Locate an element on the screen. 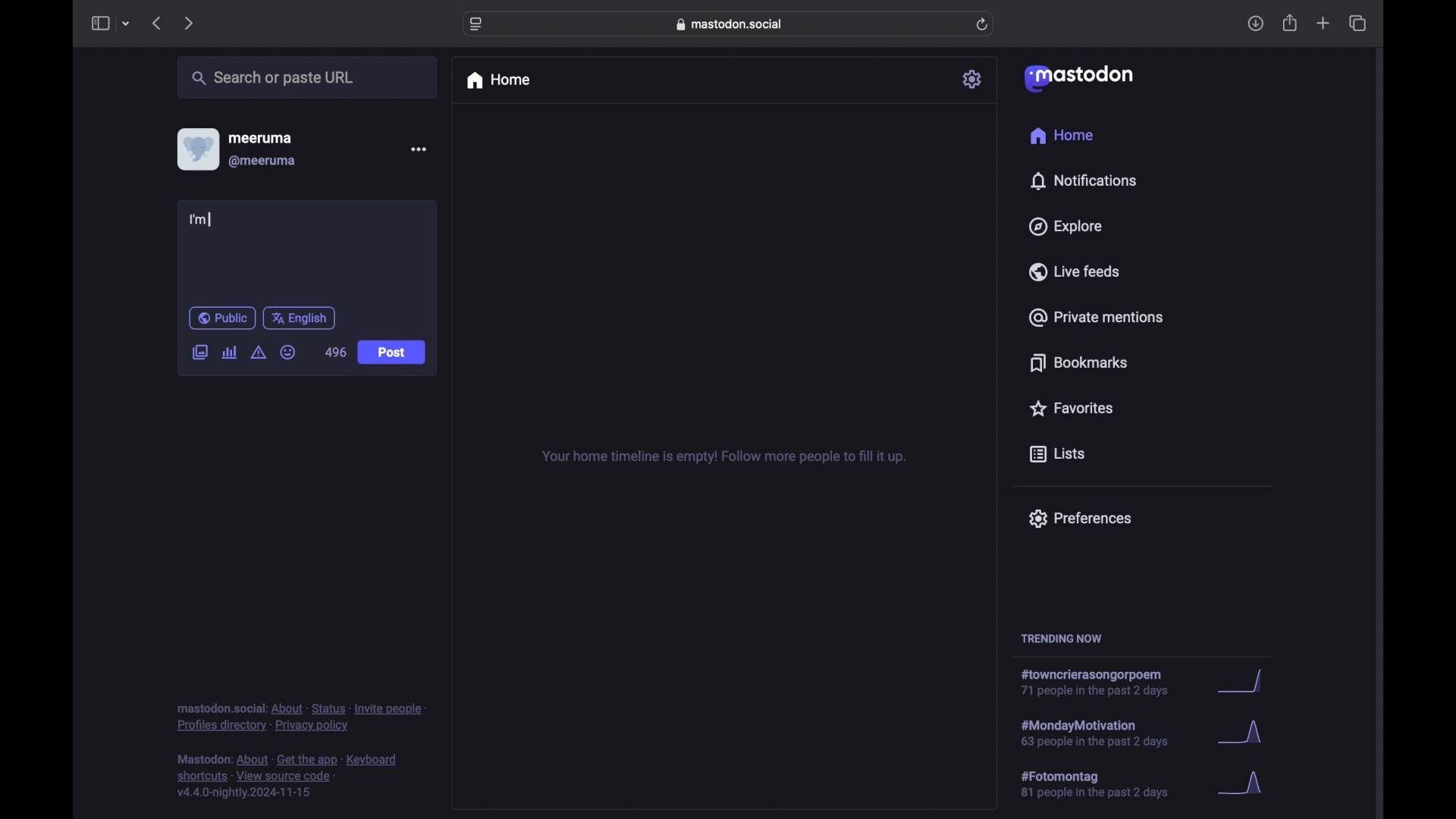  refresh is located at coordinates (982, 24).